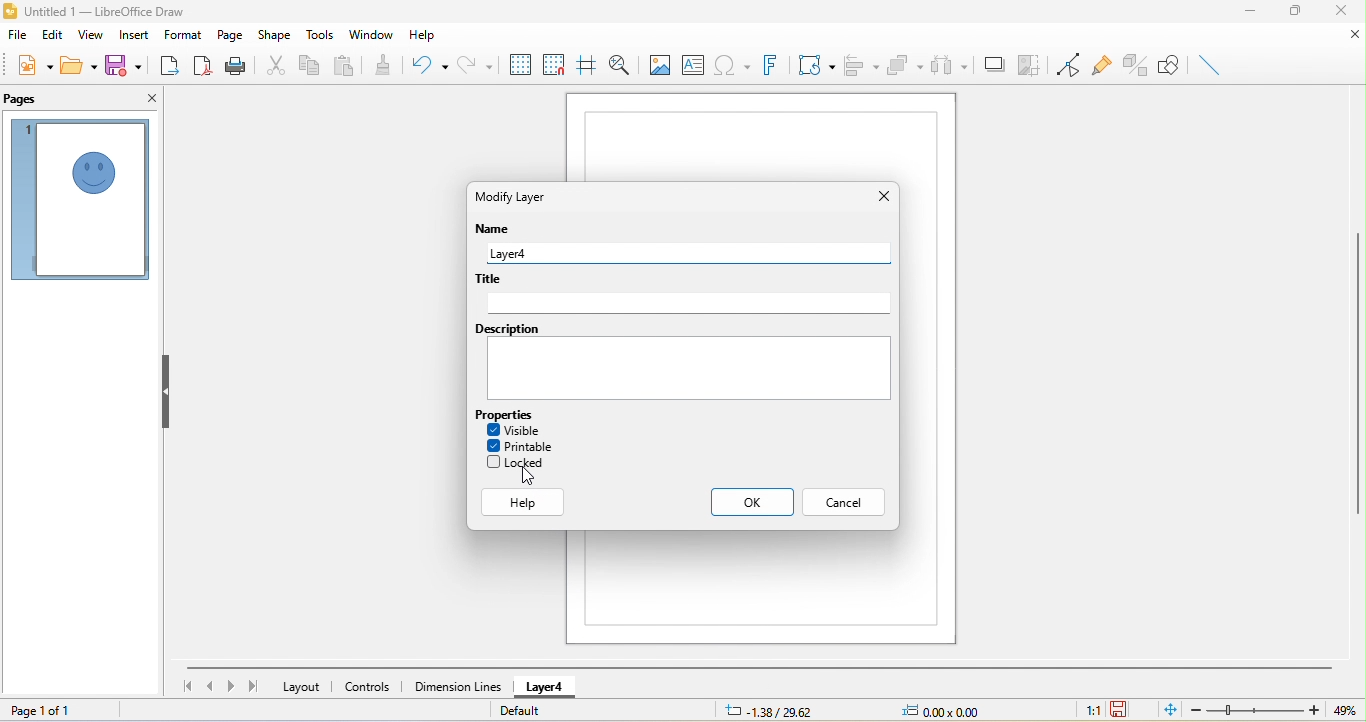 This screenshot has height=722, width=1366. What do you see at coordinates (274, 37) in the screenshot?
I see `shape` at bounding box center [274, 37].